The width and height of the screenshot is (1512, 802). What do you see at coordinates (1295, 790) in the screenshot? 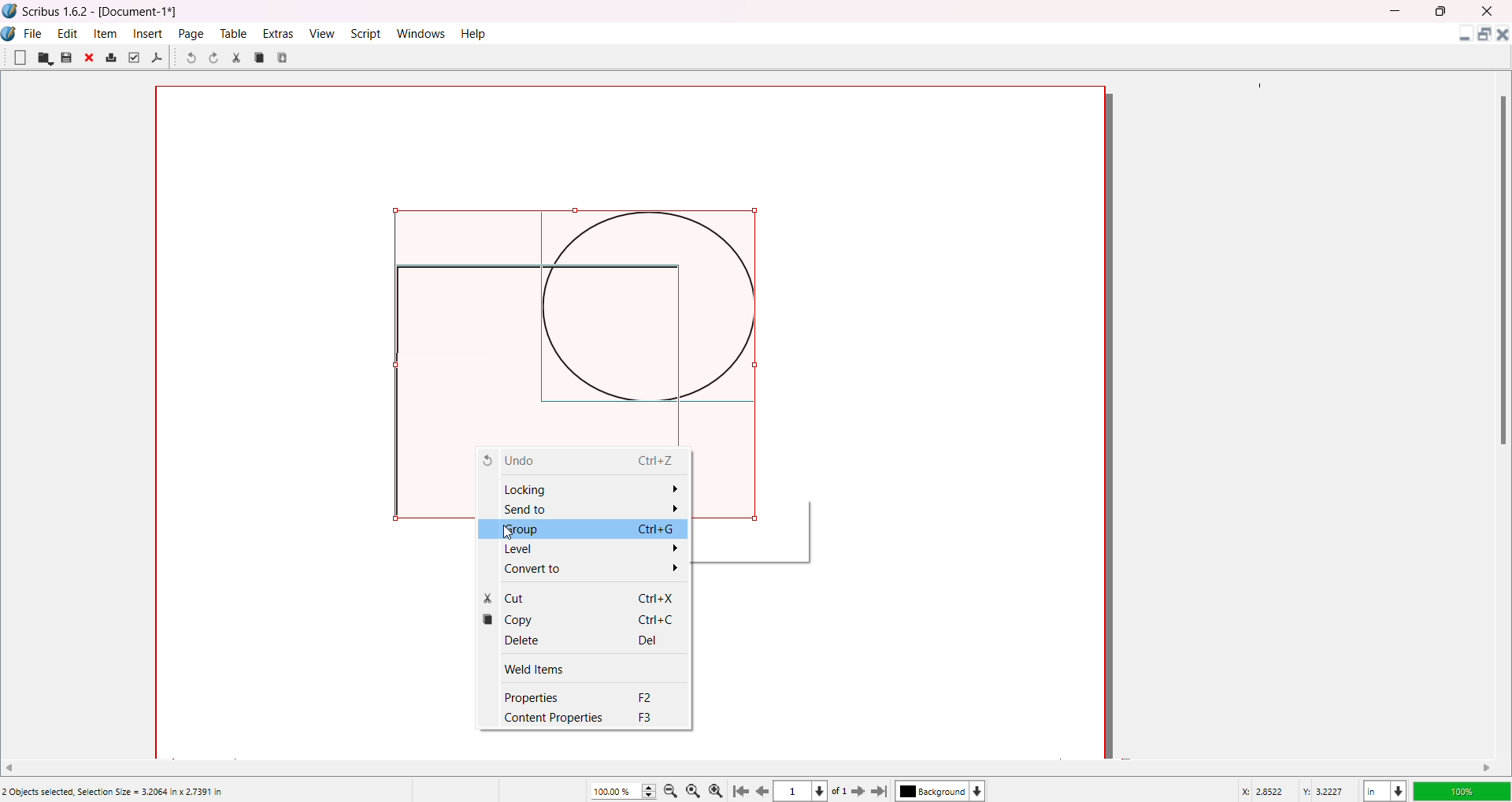
I see `Latitude/Longitude` at bounding box center [1295, 790].